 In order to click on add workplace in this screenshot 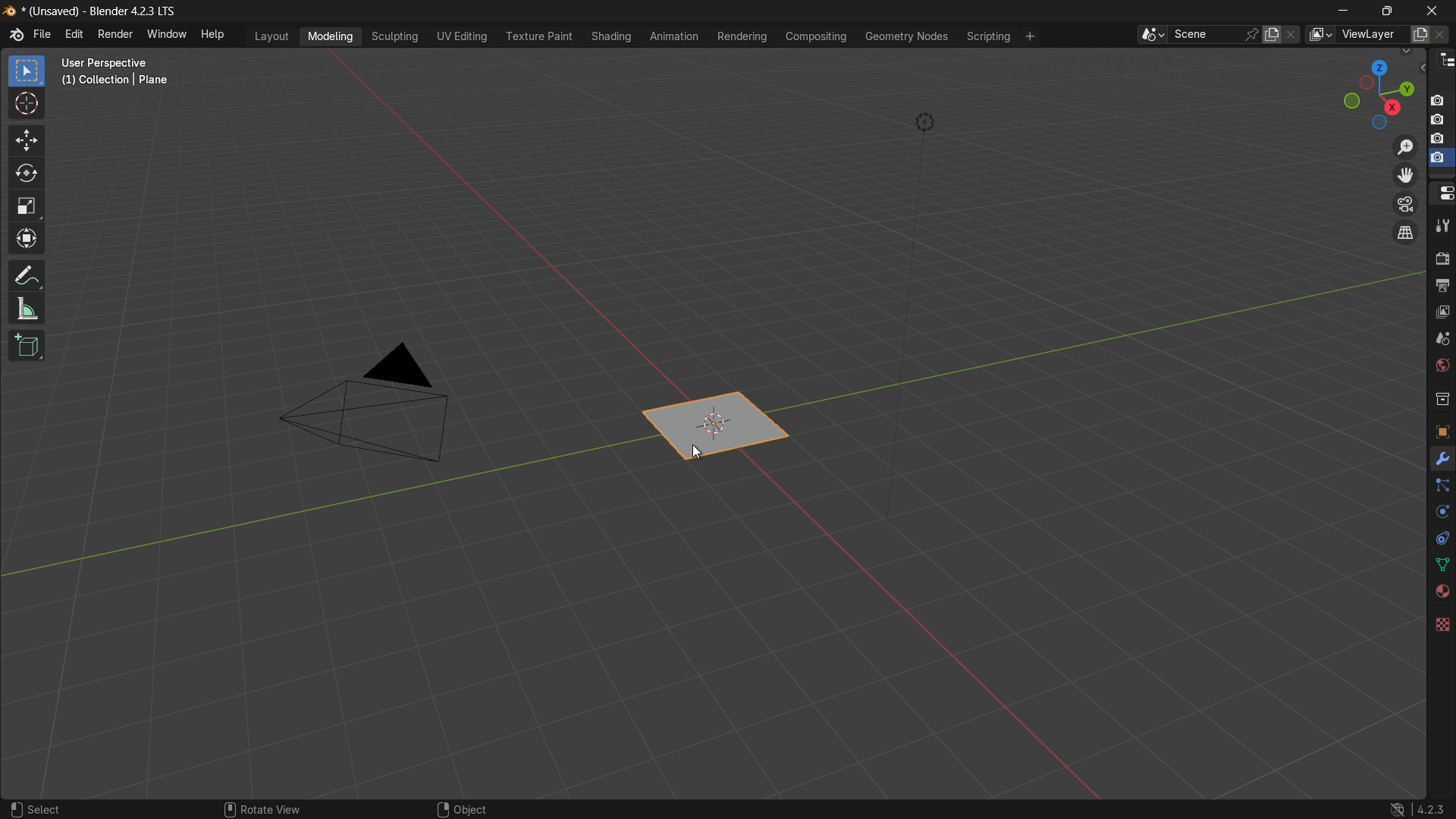, I will do `click(1030, 36)`.